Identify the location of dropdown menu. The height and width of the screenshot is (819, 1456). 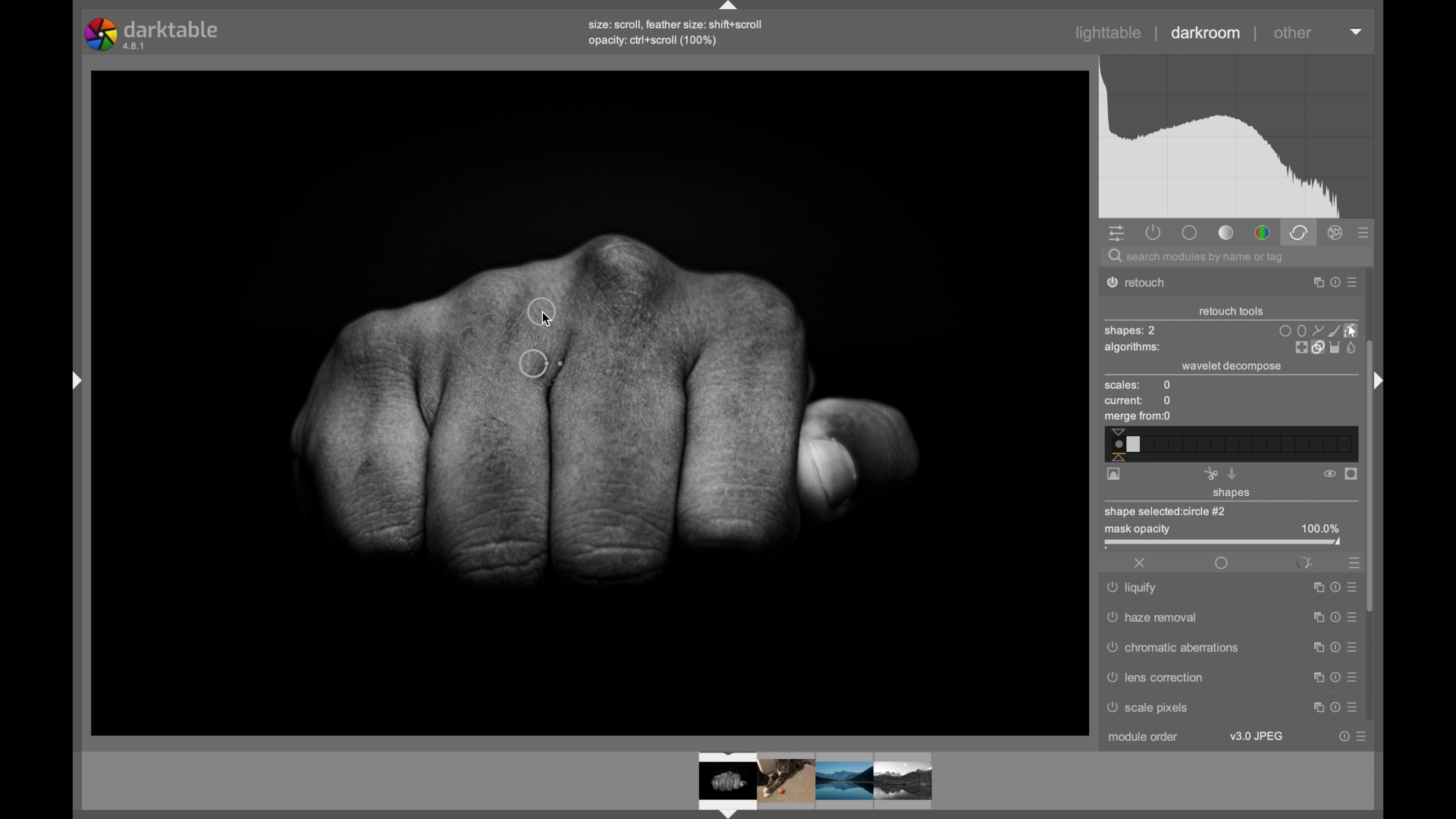
(1357, 30).